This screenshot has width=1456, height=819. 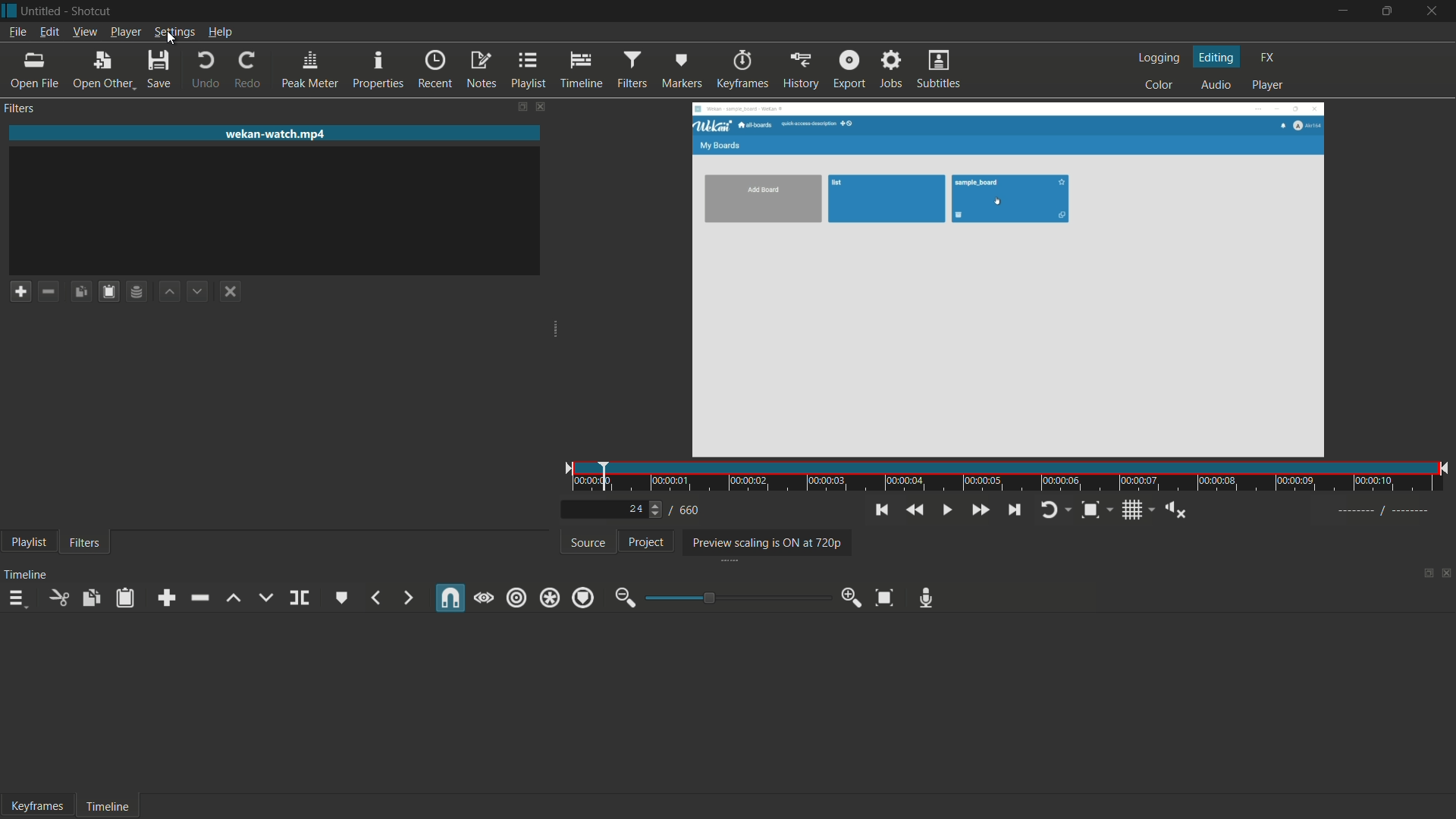 What do you see at coordinates (529, 70) in the screenshot?
I see `playlist` at bounding box center [529, 70].